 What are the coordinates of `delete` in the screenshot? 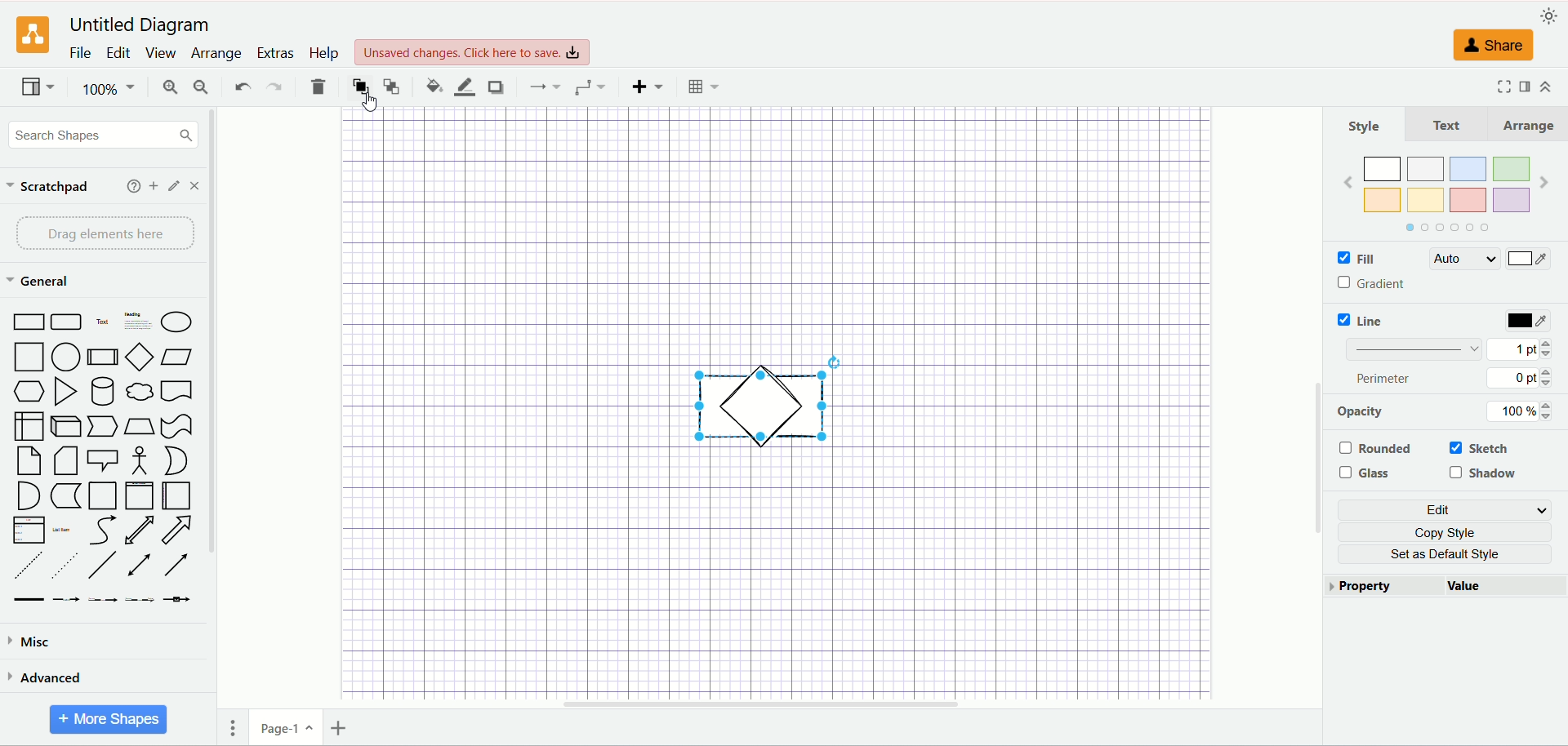 It's located at (319, 87).